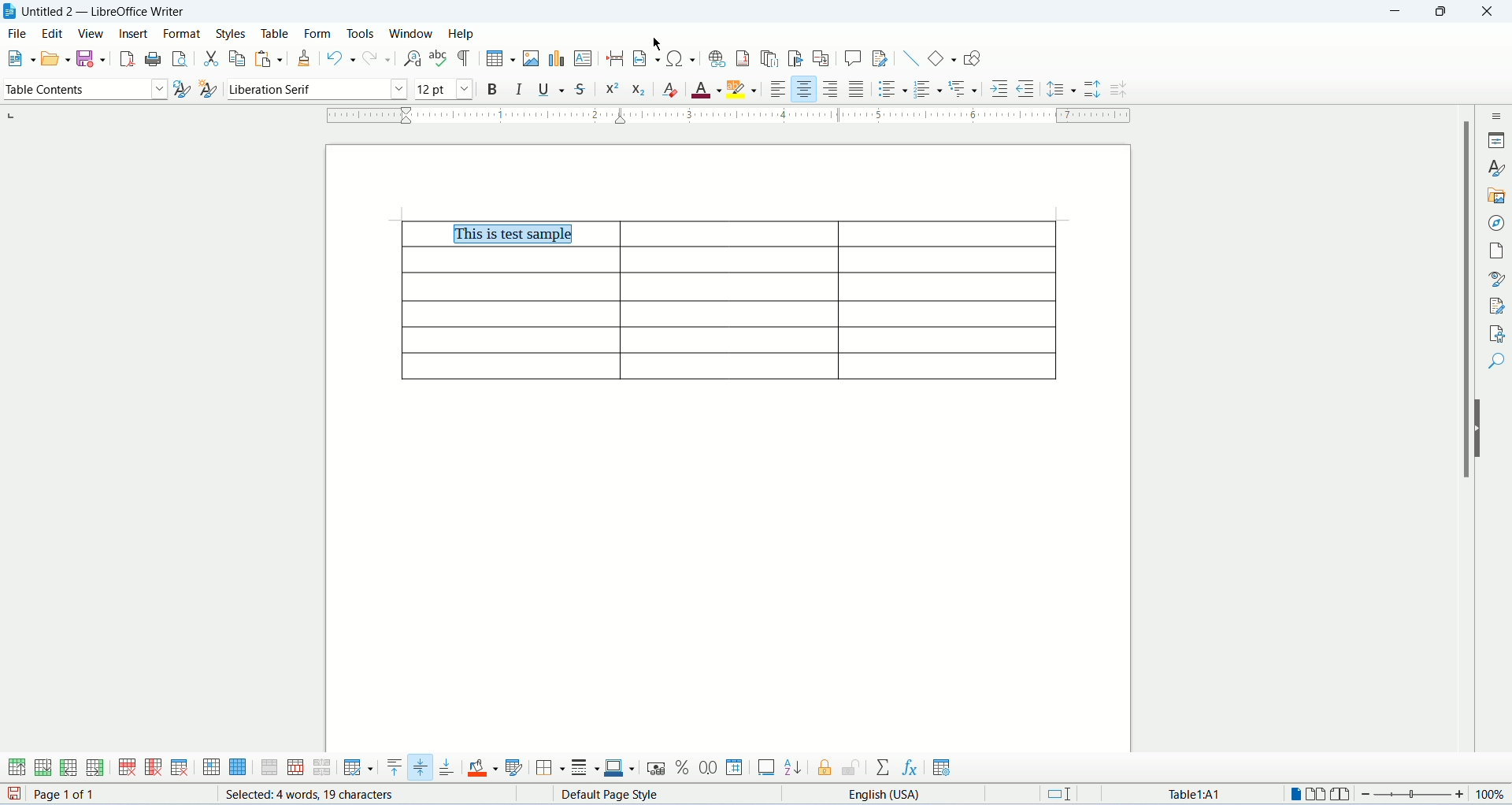 This screenshot has width=1512, height=805. I want to click on view, so click(91, 34).